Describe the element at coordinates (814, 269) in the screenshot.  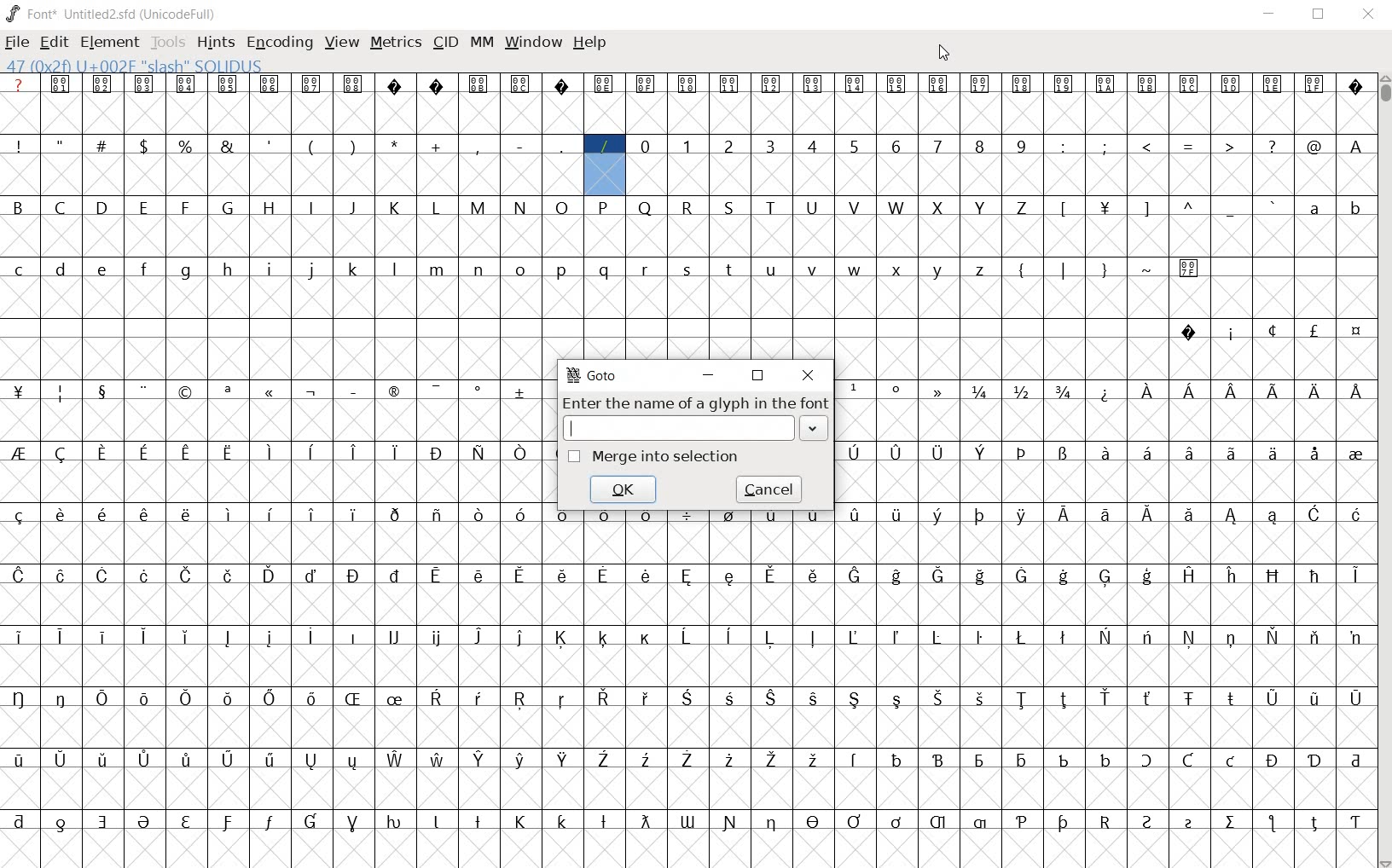
I see `glyph` at that location.